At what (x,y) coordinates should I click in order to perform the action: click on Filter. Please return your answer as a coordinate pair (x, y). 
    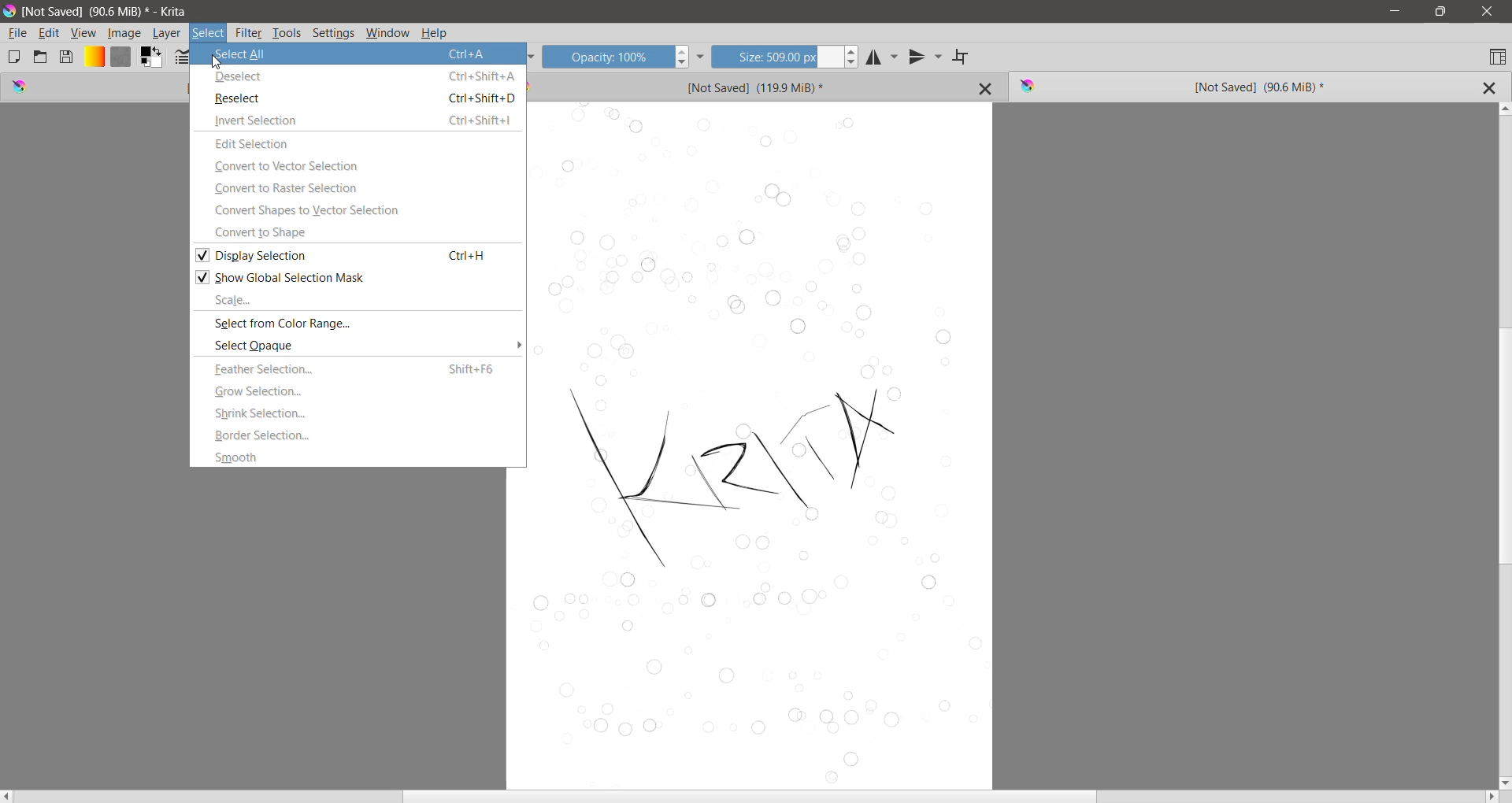
    Looking at the image, I should click on (249, 33).